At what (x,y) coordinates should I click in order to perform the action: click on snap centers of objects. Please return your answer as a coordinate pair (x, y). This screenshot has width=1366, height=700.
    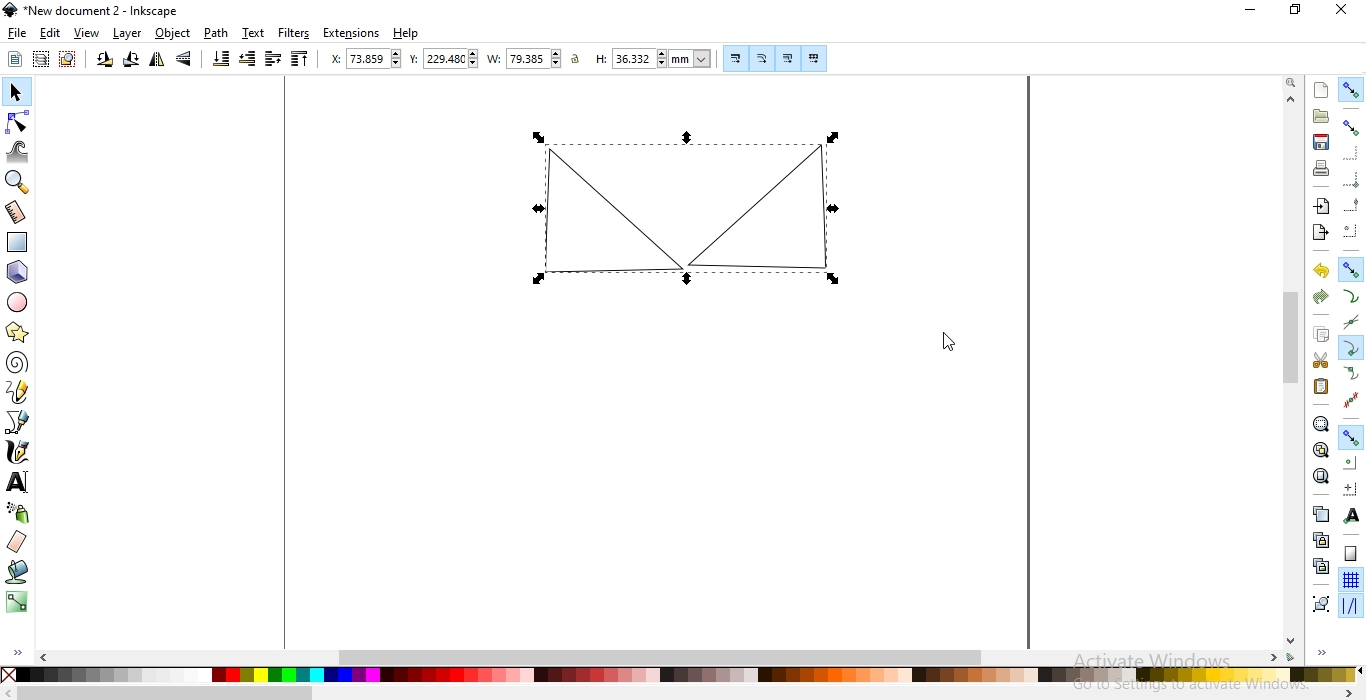
    Looking at the image, I should click on (1351, 462).